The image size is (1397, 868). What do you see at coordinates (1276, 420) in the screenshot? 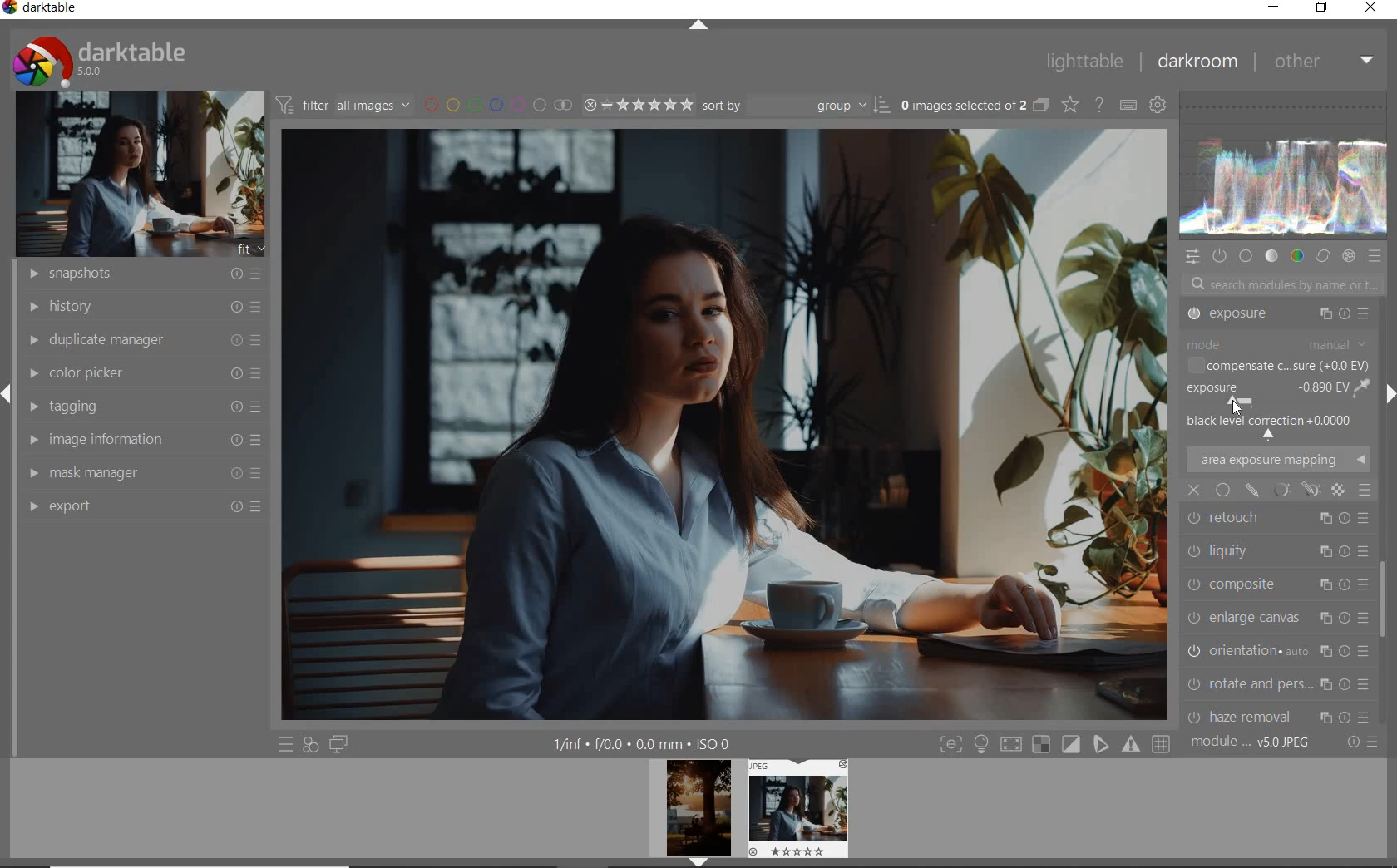
I see `RETOUCH` at bounding box center [1276, 420].